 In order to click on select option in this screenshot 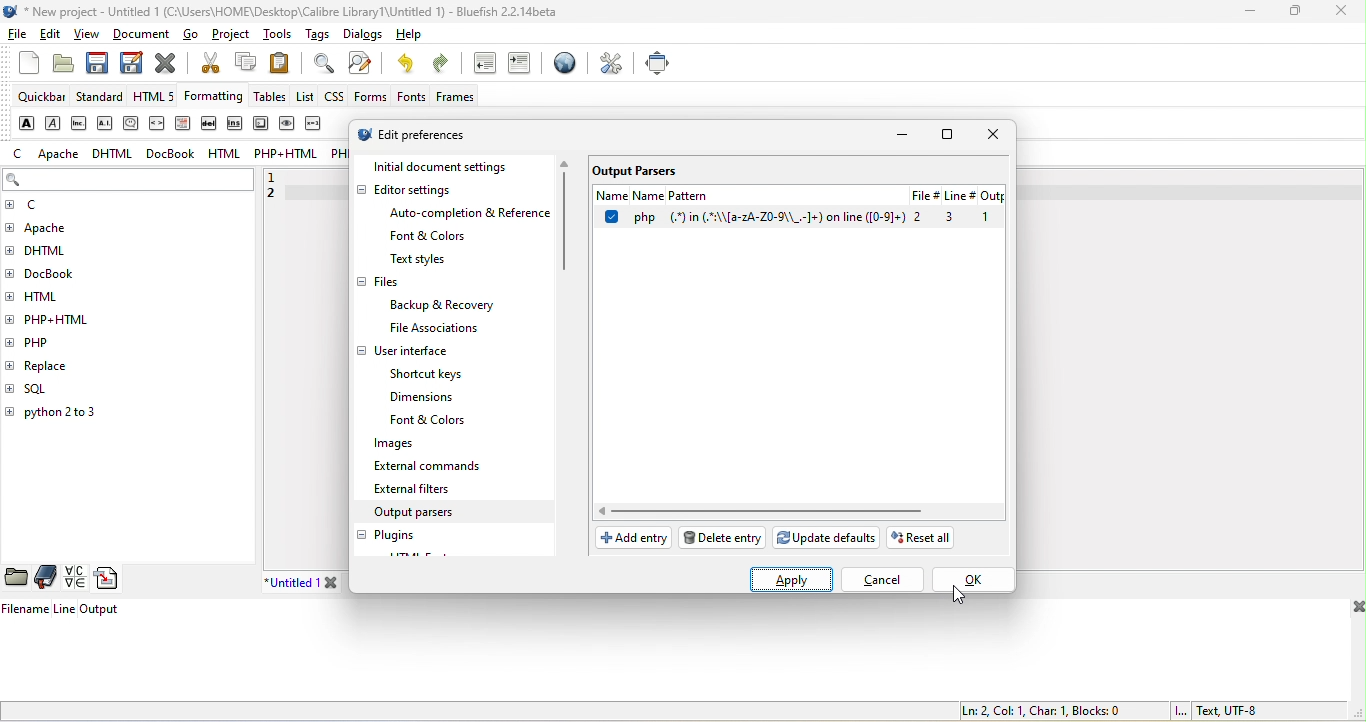, I will do `click(800, 216)`.